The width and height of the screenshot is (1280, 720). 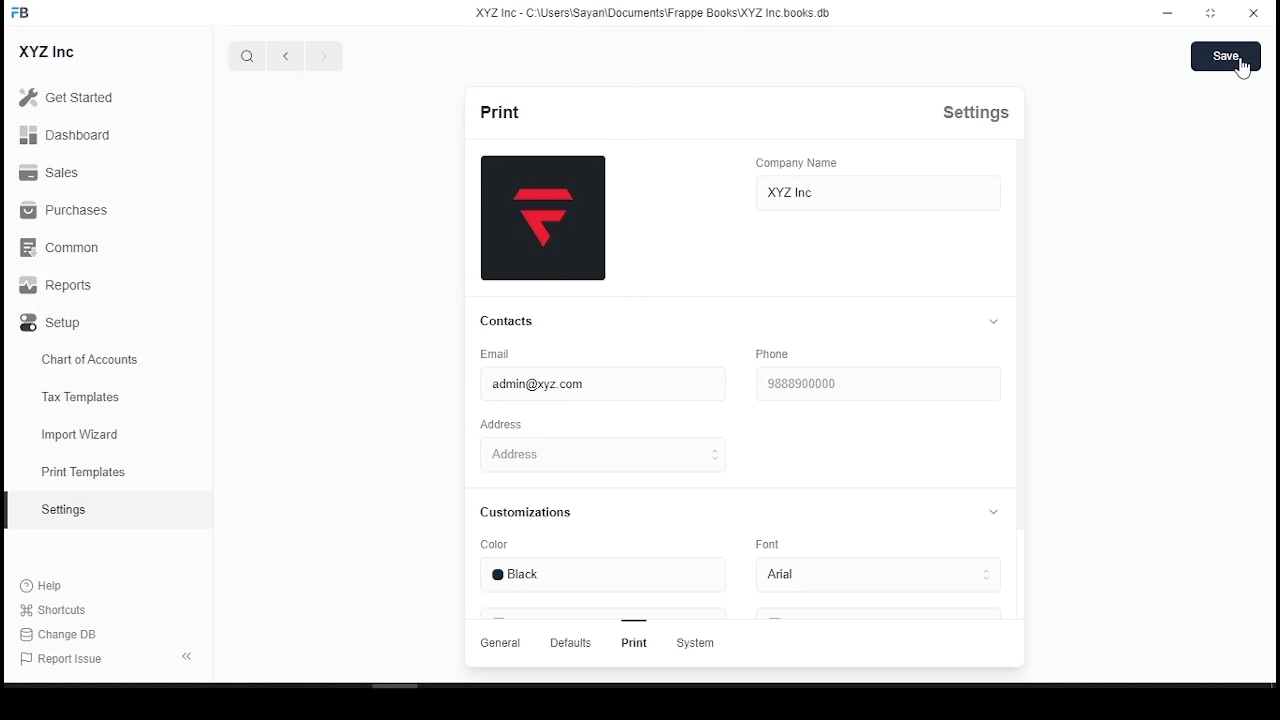 I want to click on System, so click(x=710, y=643).